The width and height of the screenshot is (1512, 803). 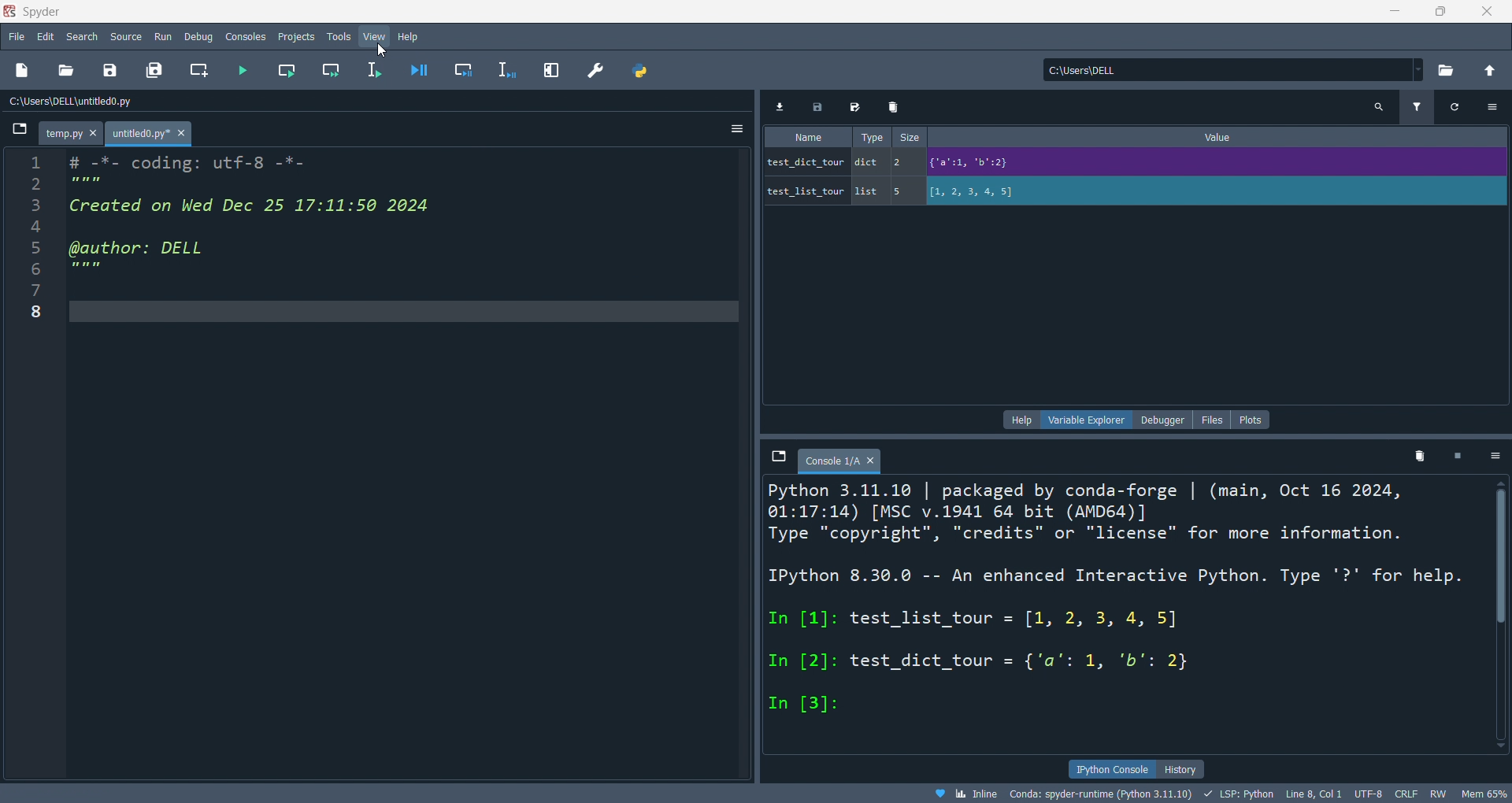 I want to click on help, so click(x=1020, y=419).